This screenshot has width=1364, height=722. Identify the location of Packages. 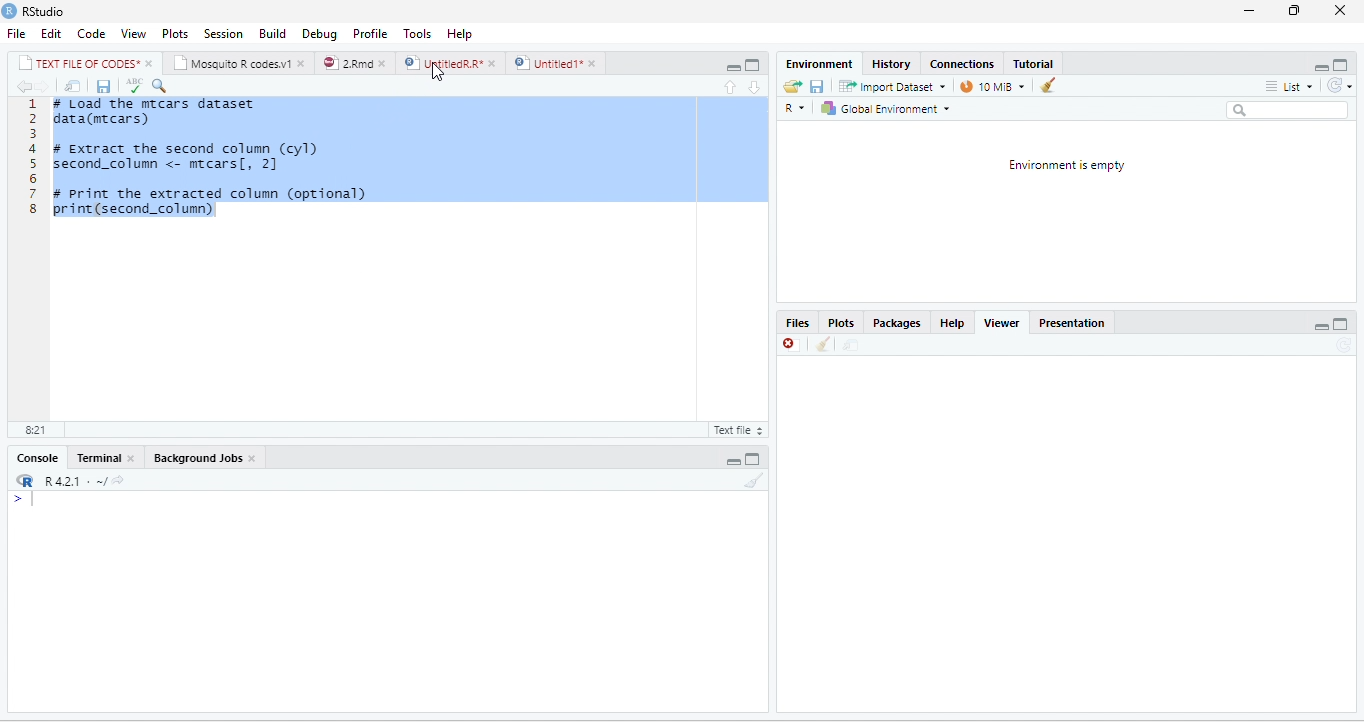
(899, 324).